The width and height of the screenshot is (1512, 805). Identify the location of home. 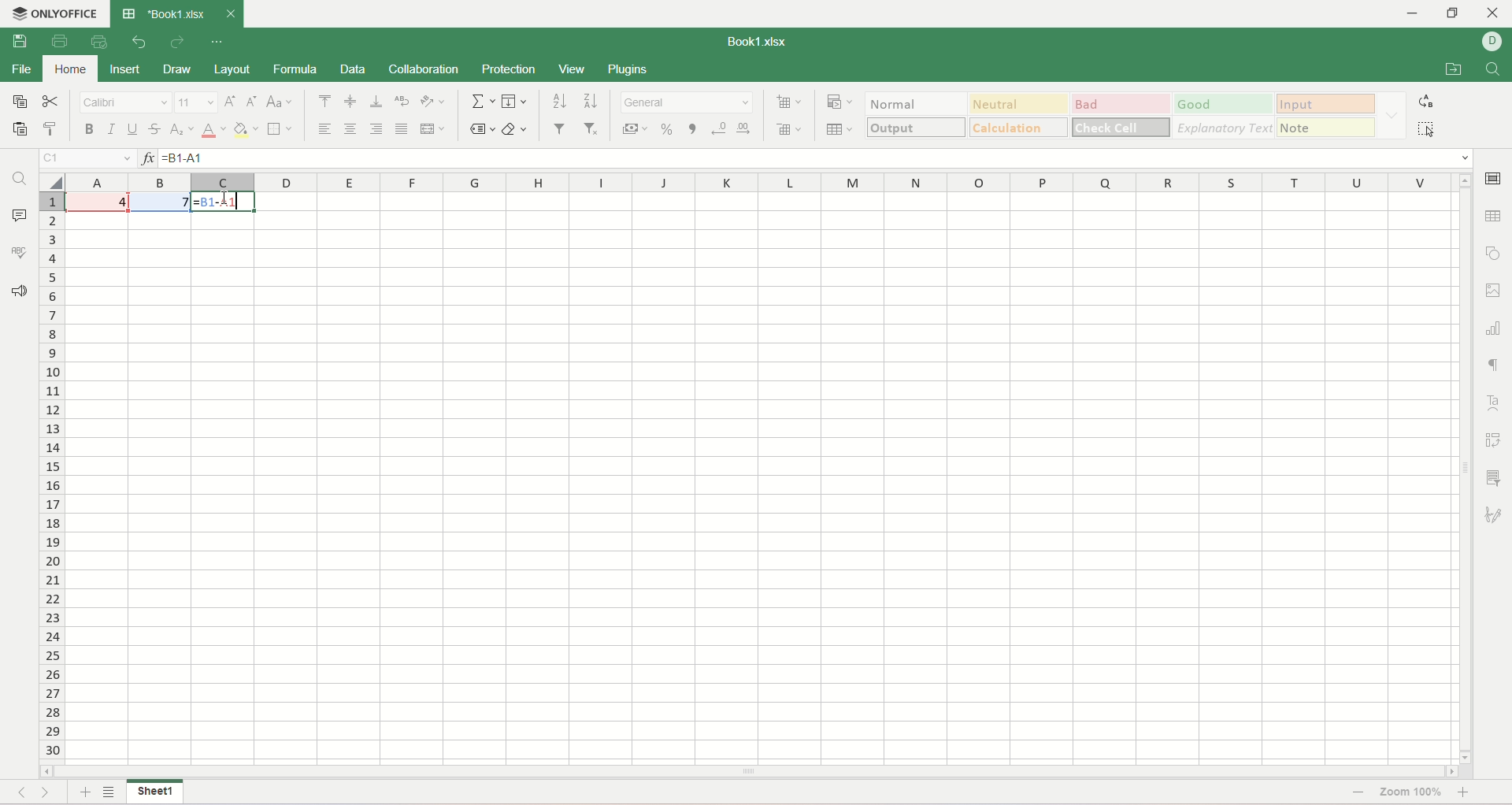
(69, 69).